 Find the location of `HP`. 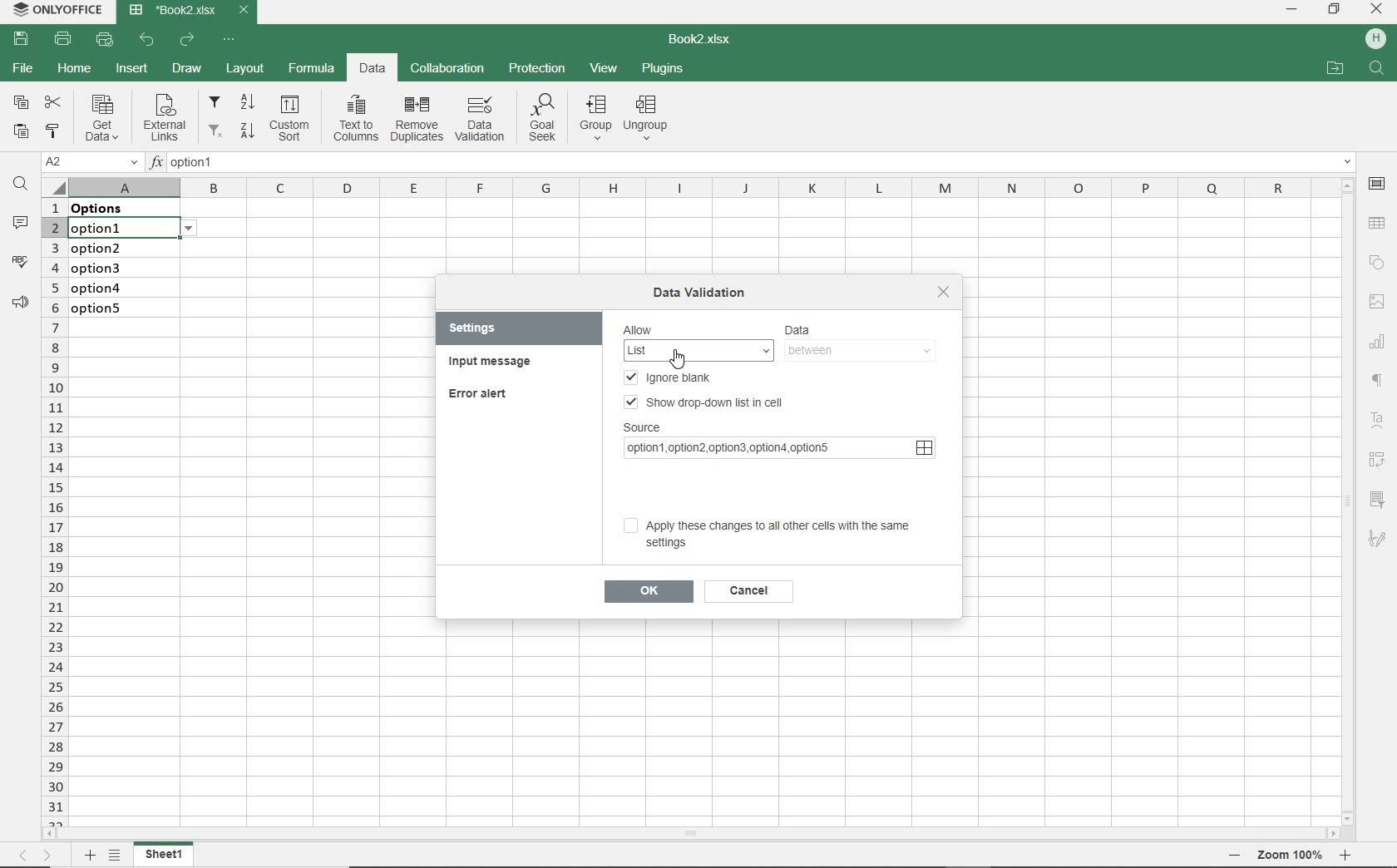

HP is located at coordinates (1377, 40).